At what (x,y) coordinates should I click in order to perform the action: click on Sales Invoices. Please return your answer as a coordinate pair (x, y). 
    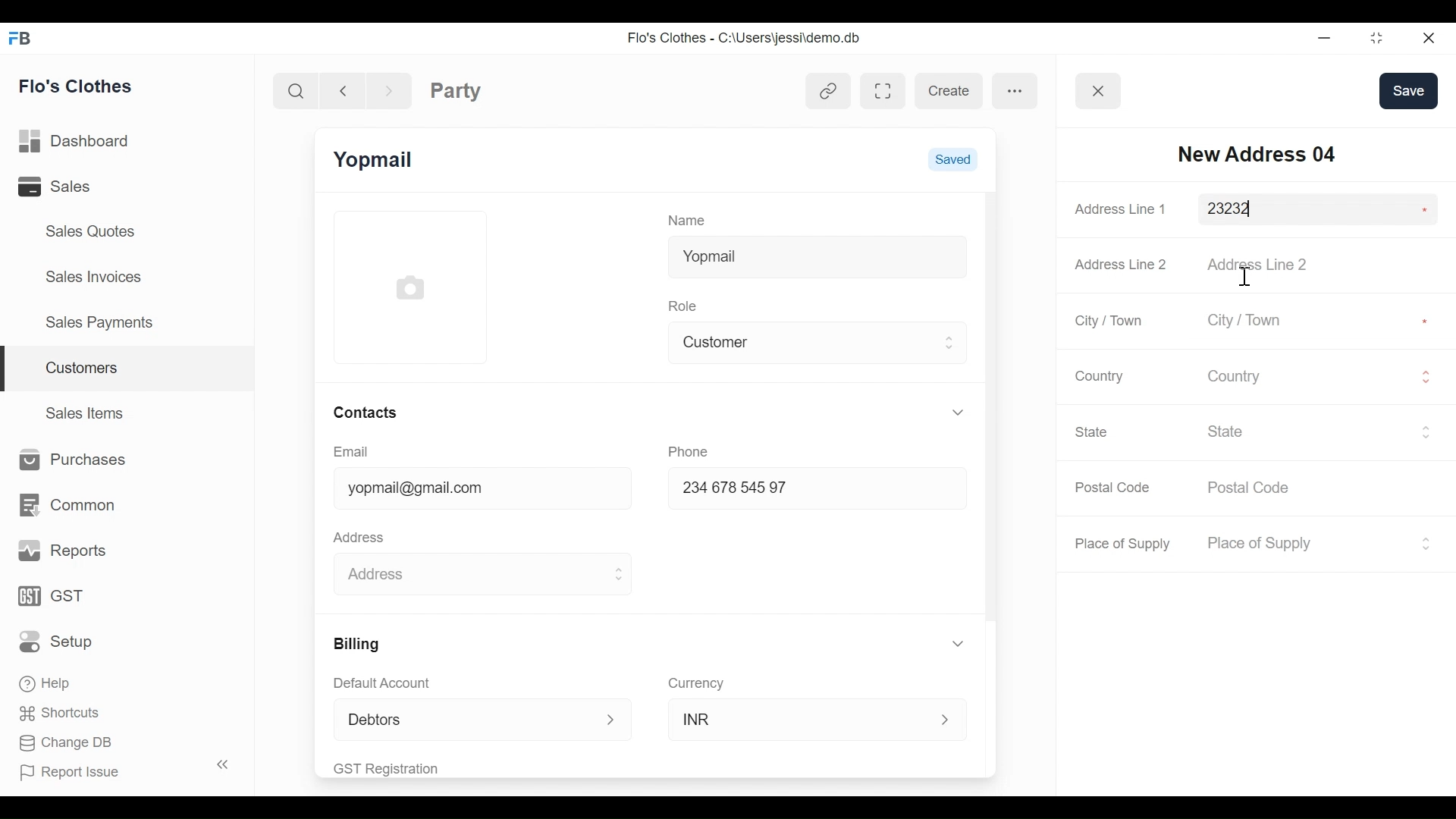
    Looking at the image, I should click on (96, 275).